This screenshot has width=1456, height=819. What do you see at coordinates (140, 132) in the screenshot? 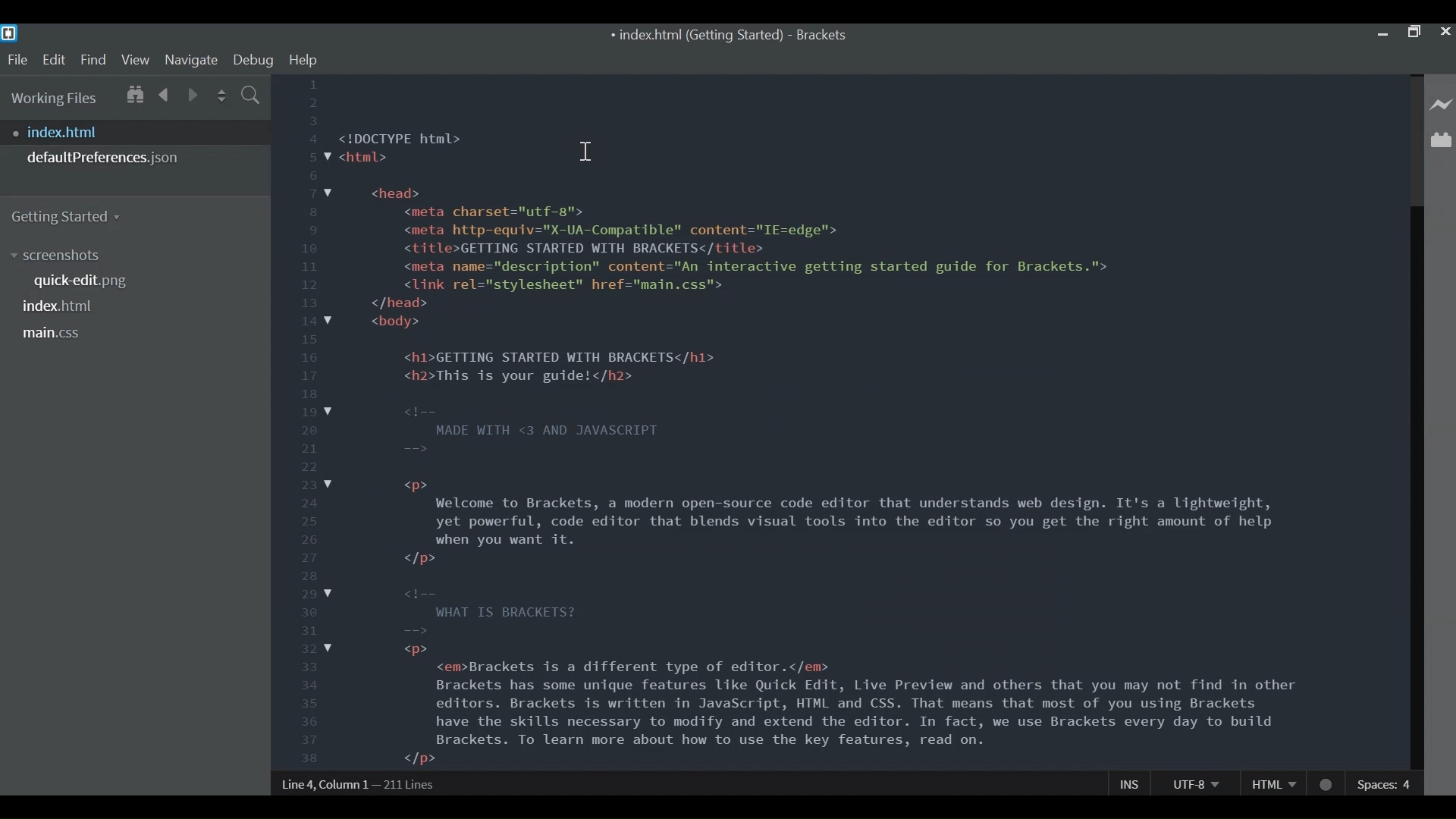
I see `index.html` at bounding box center [140, 132].